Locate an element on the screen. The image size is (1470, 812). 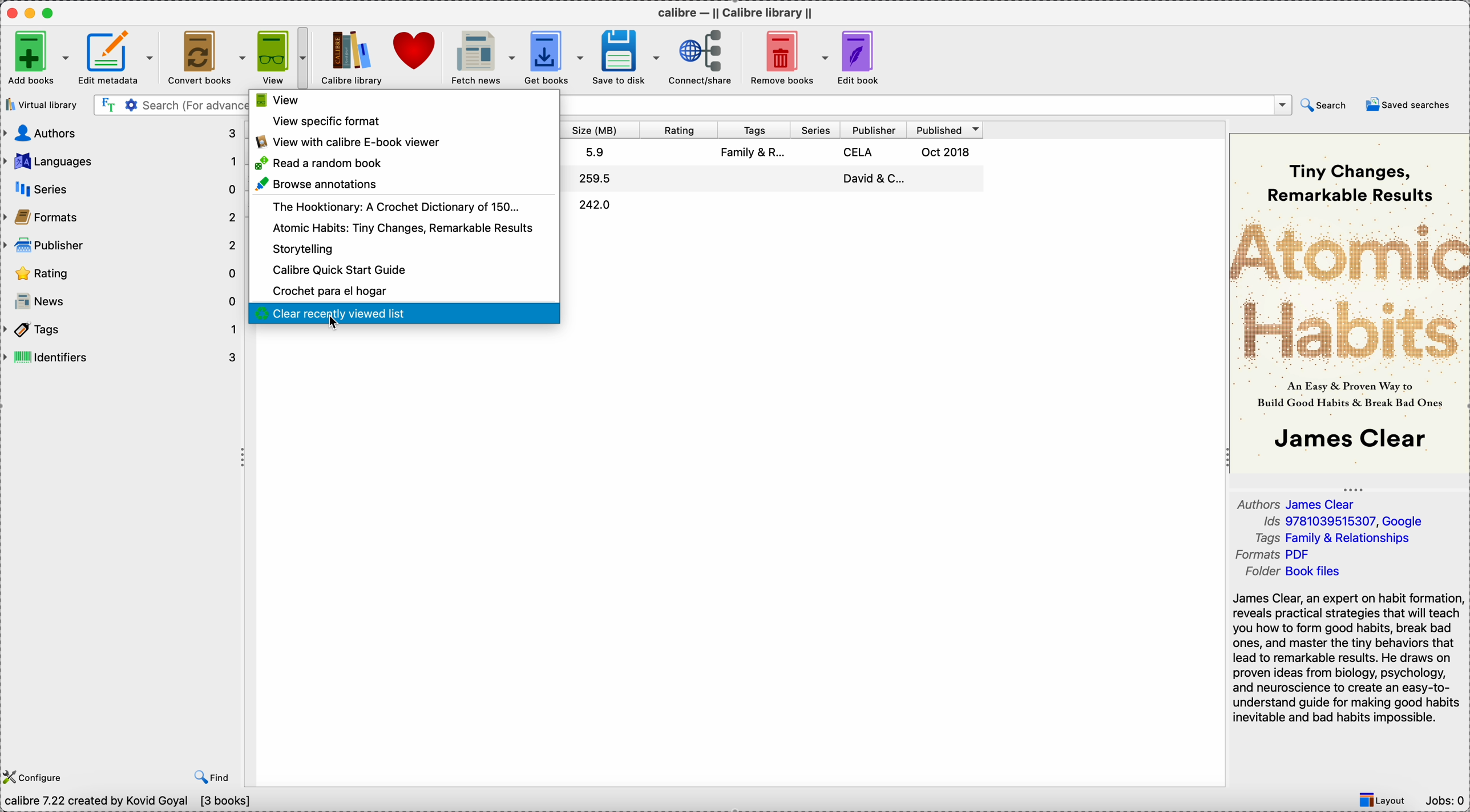
Storytelling is located at coordinates (305, 249).